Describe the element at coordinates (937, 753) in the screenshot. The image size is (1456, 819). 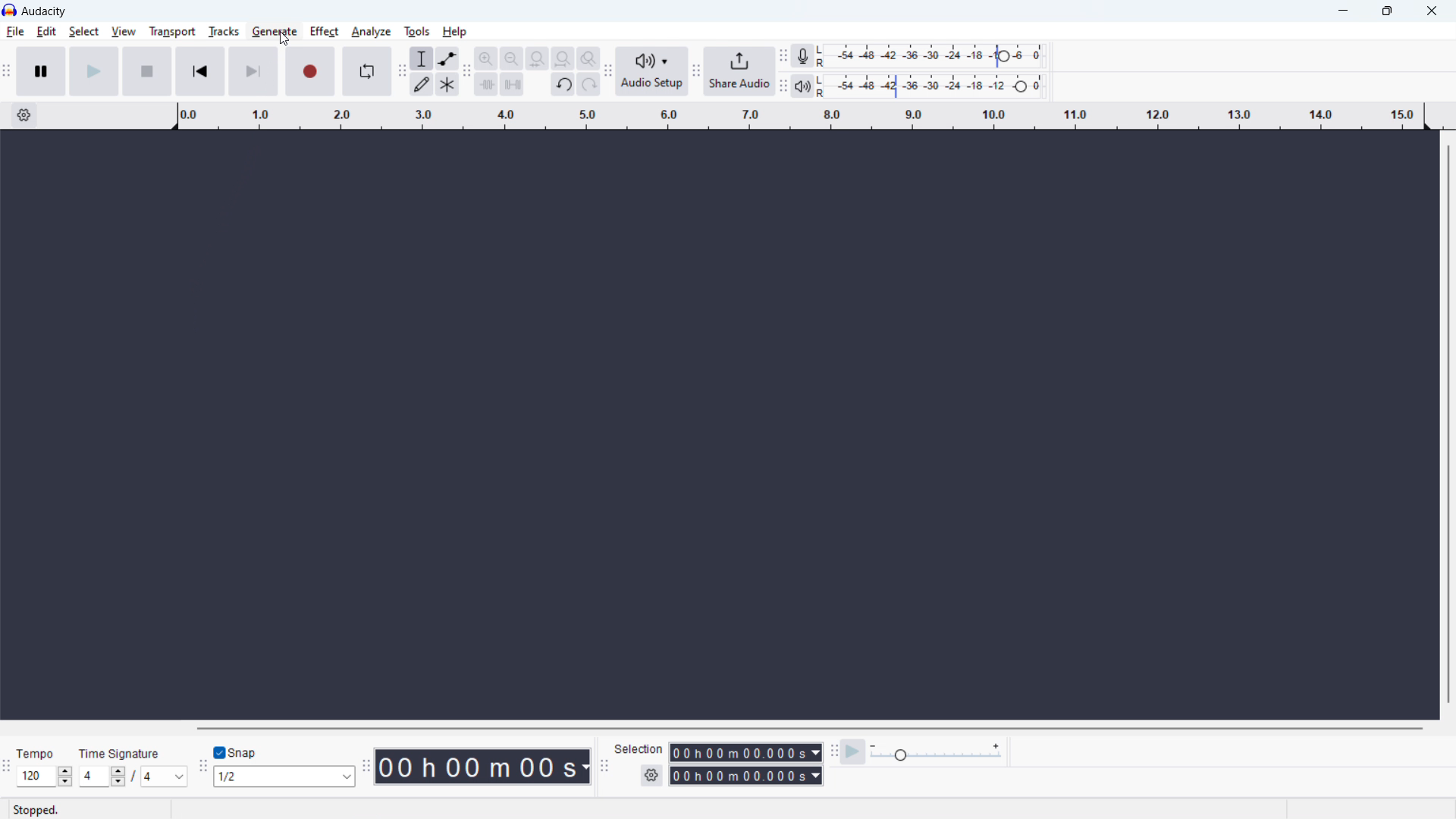
I see `playback speed` at that location.